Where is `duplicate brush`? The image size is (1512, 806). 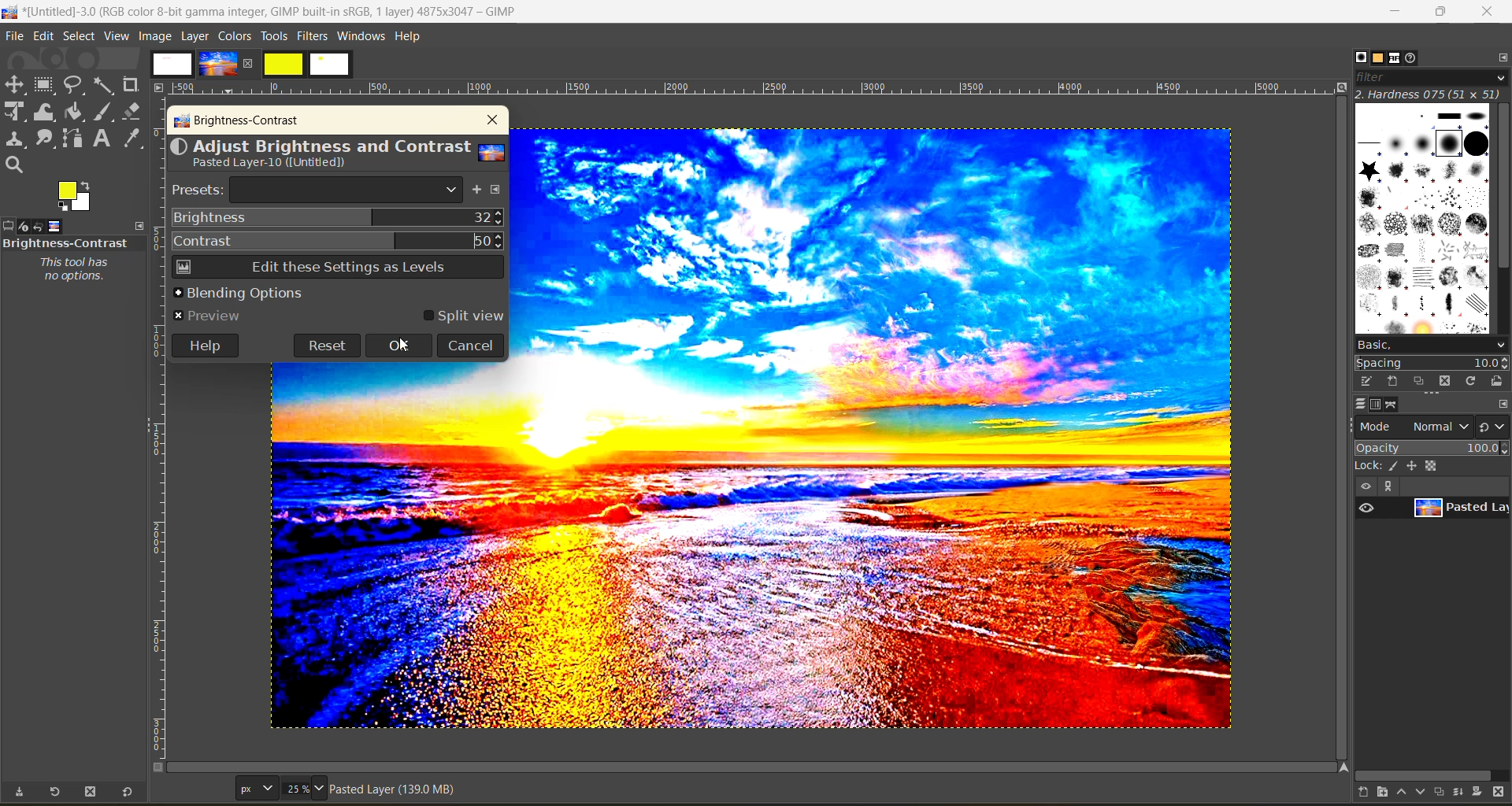 duplicate brush is located at coordinates (1421, 382).